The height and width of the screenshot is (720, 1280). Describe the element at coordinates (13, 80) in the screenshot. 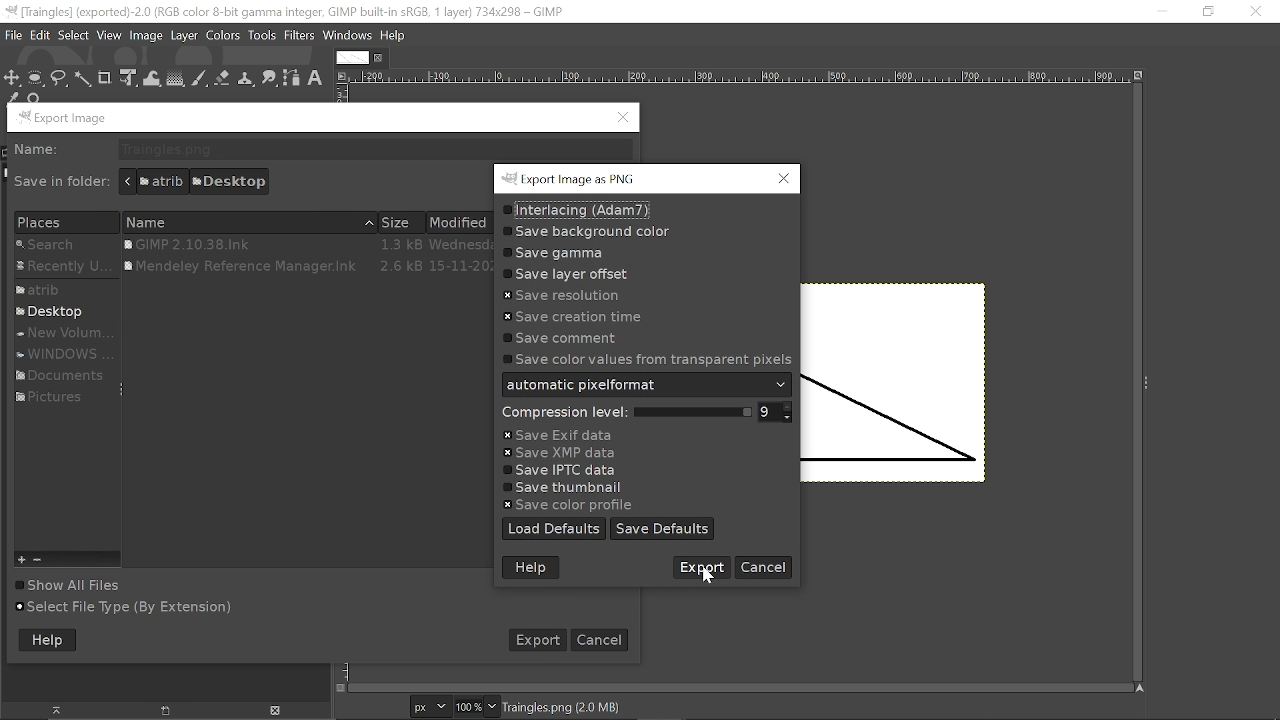

I see `Move tool` at that location.